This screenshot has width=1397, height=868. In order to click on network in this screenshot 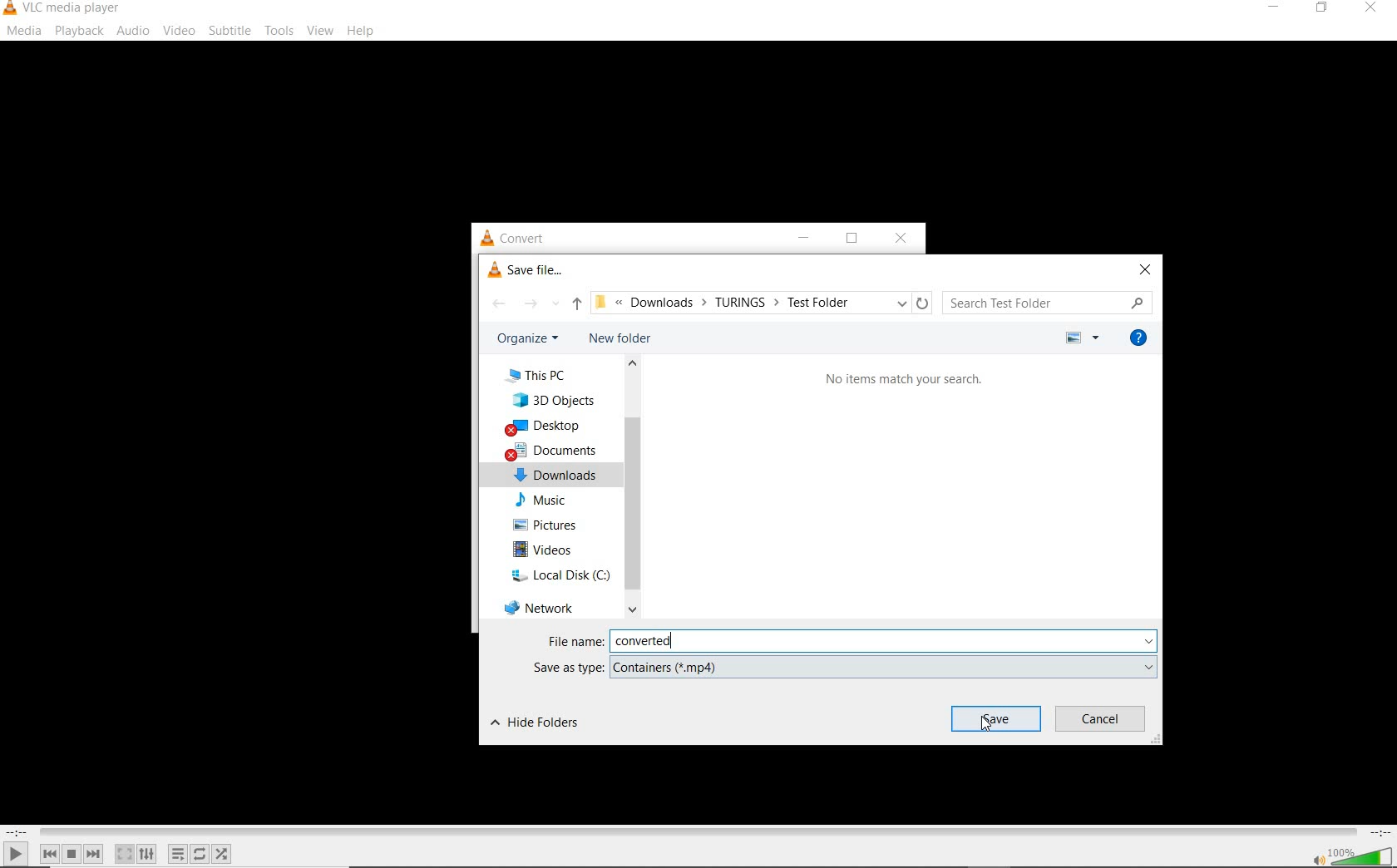, I will do `click(540, 606)`.